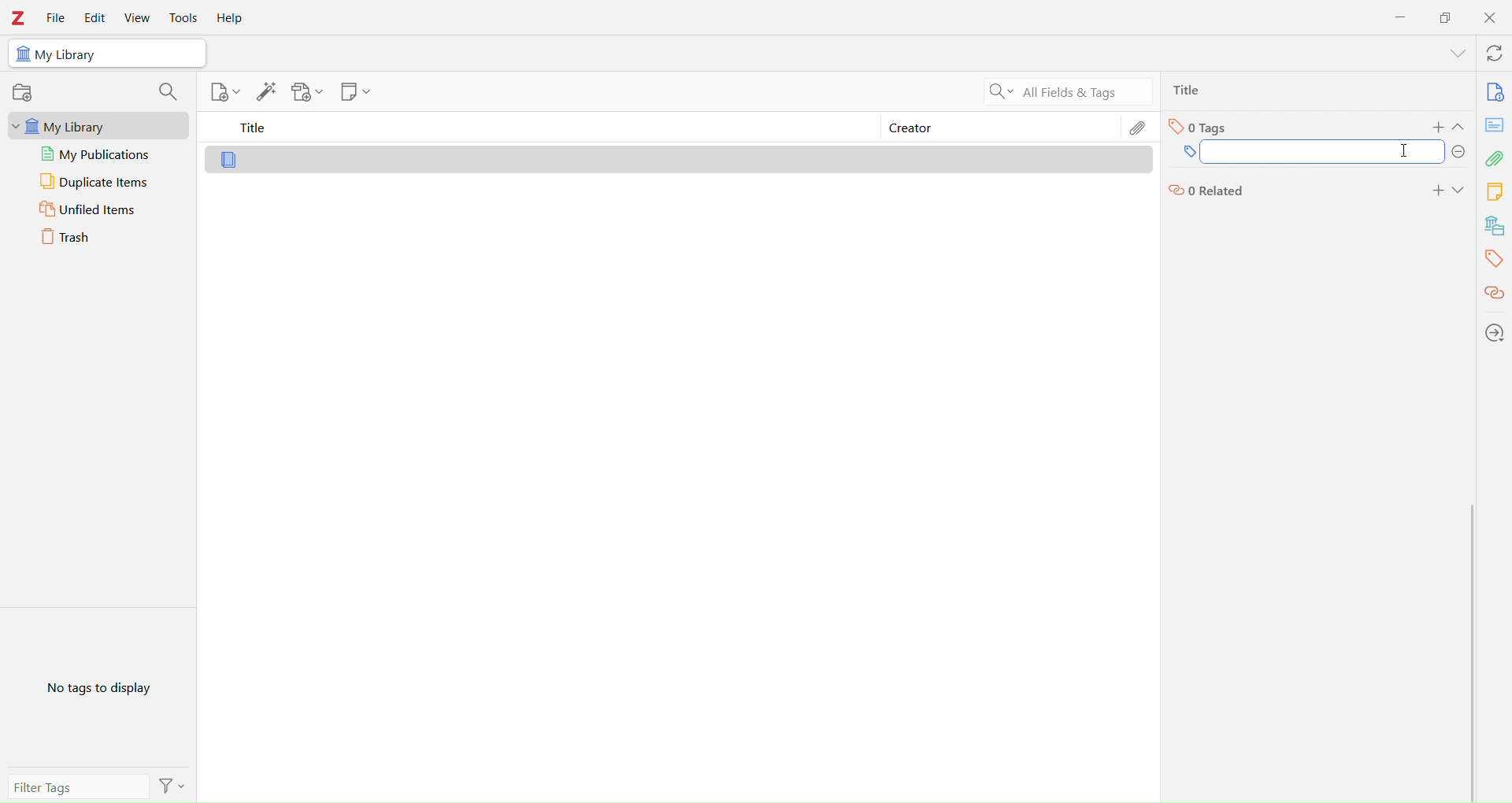 The height and width of the screenshot is (803, 1512). Describe the element at coordinates (19, 18) in the screenshot. I see `Zotero` at that location.